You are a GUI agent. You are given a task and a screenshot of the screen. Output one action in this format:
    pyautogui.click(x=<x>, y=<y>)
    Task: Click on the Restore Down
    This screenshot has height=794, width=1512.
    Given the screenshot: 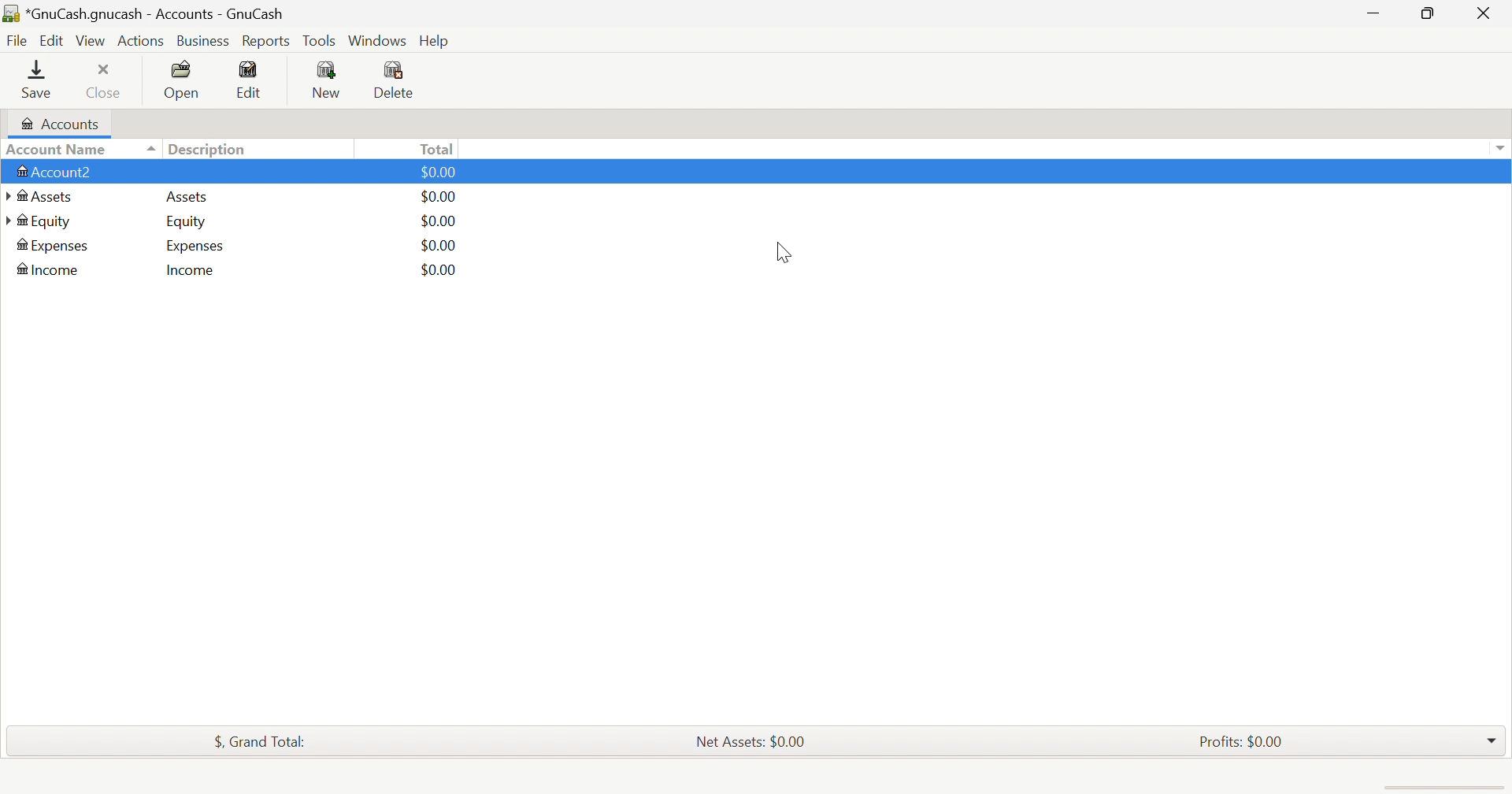 What is the action you would take?
    pyautogui.click(x=1429, y=13)
    